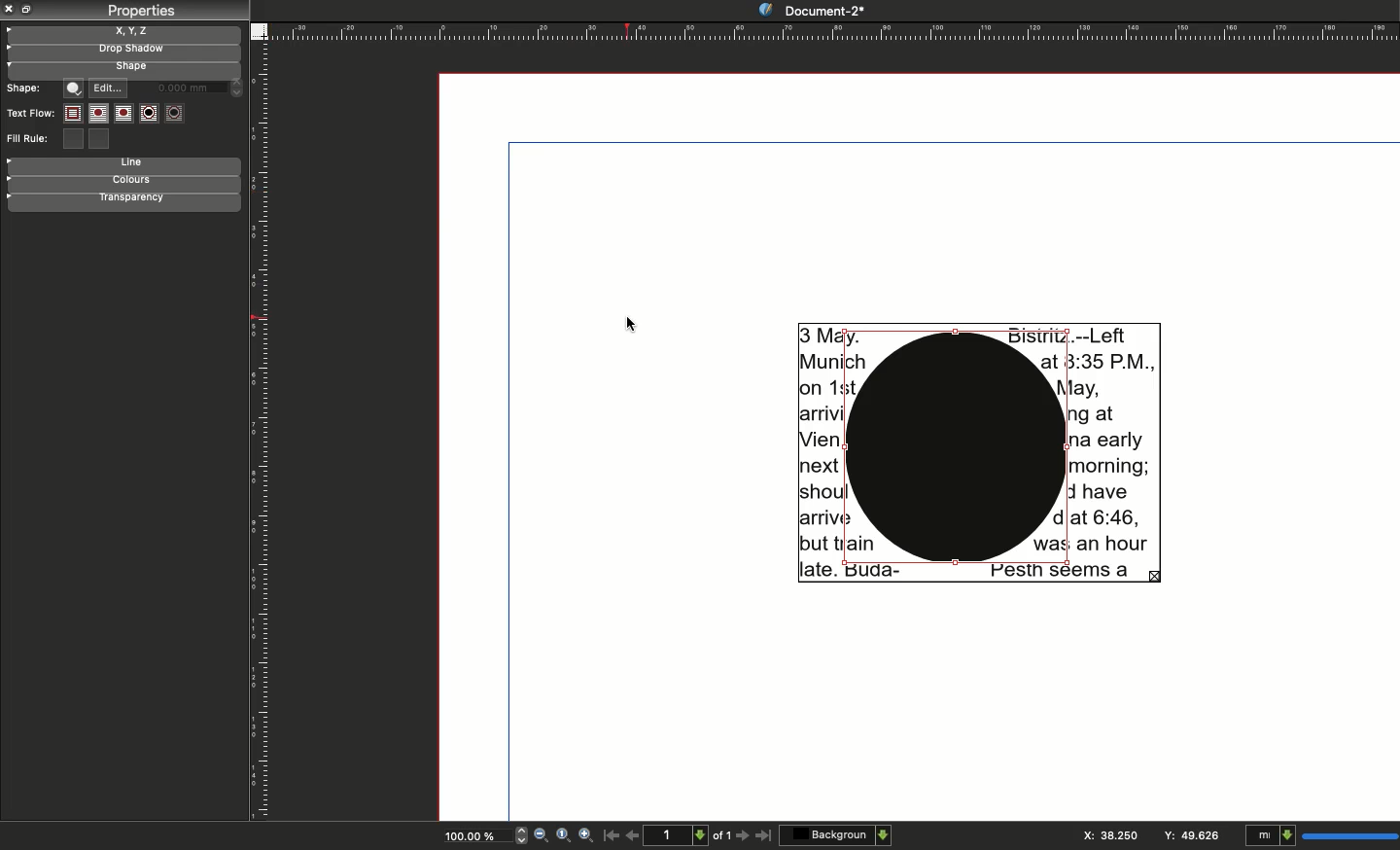  What do you see at coordinates (124, 115) in the screenshot?
I see `Text flow wrap` at bounding box center [124, 115].